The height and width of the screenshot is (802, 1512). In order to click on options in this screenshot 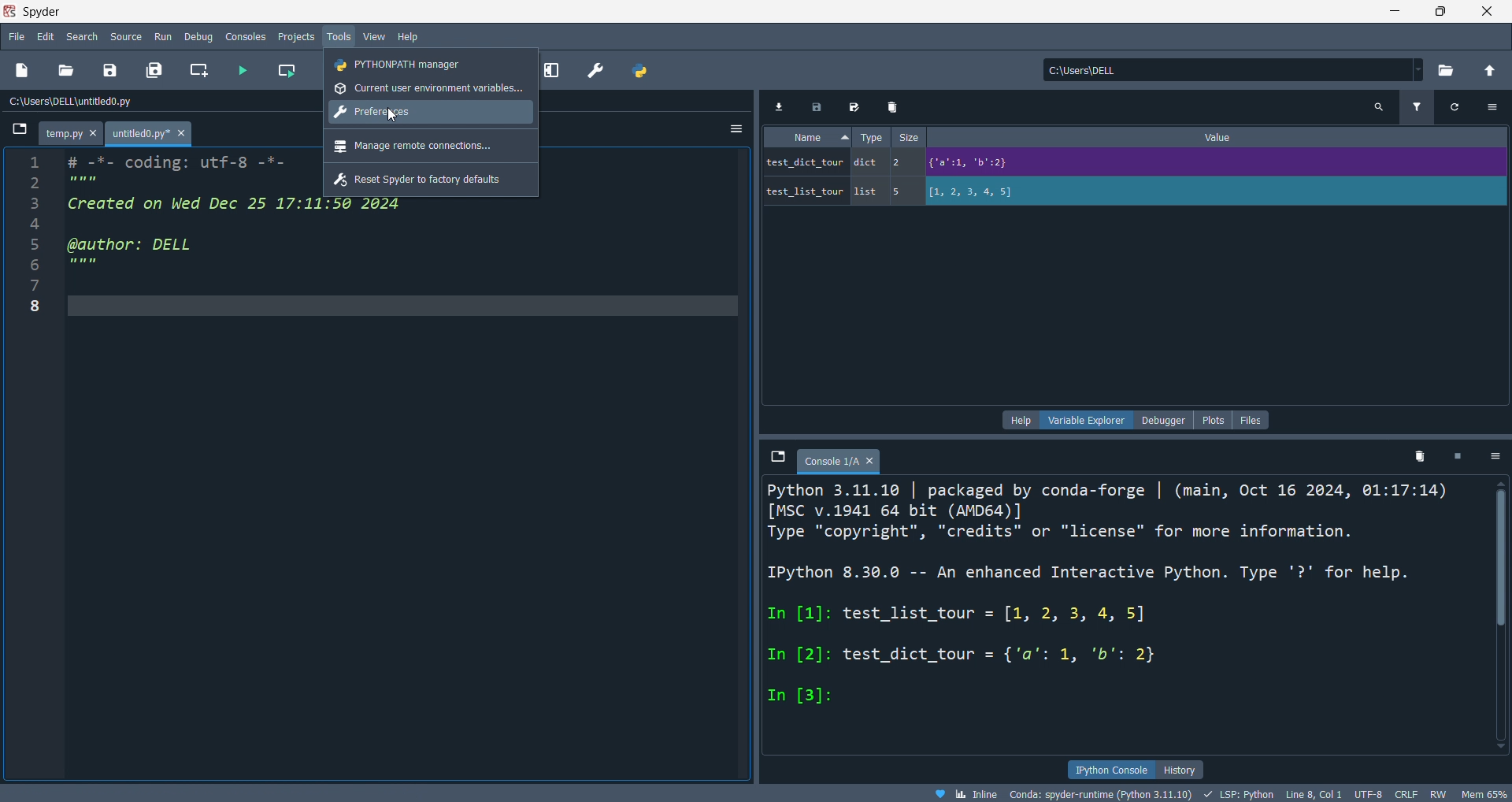, I will do `click(1497, 456)`.